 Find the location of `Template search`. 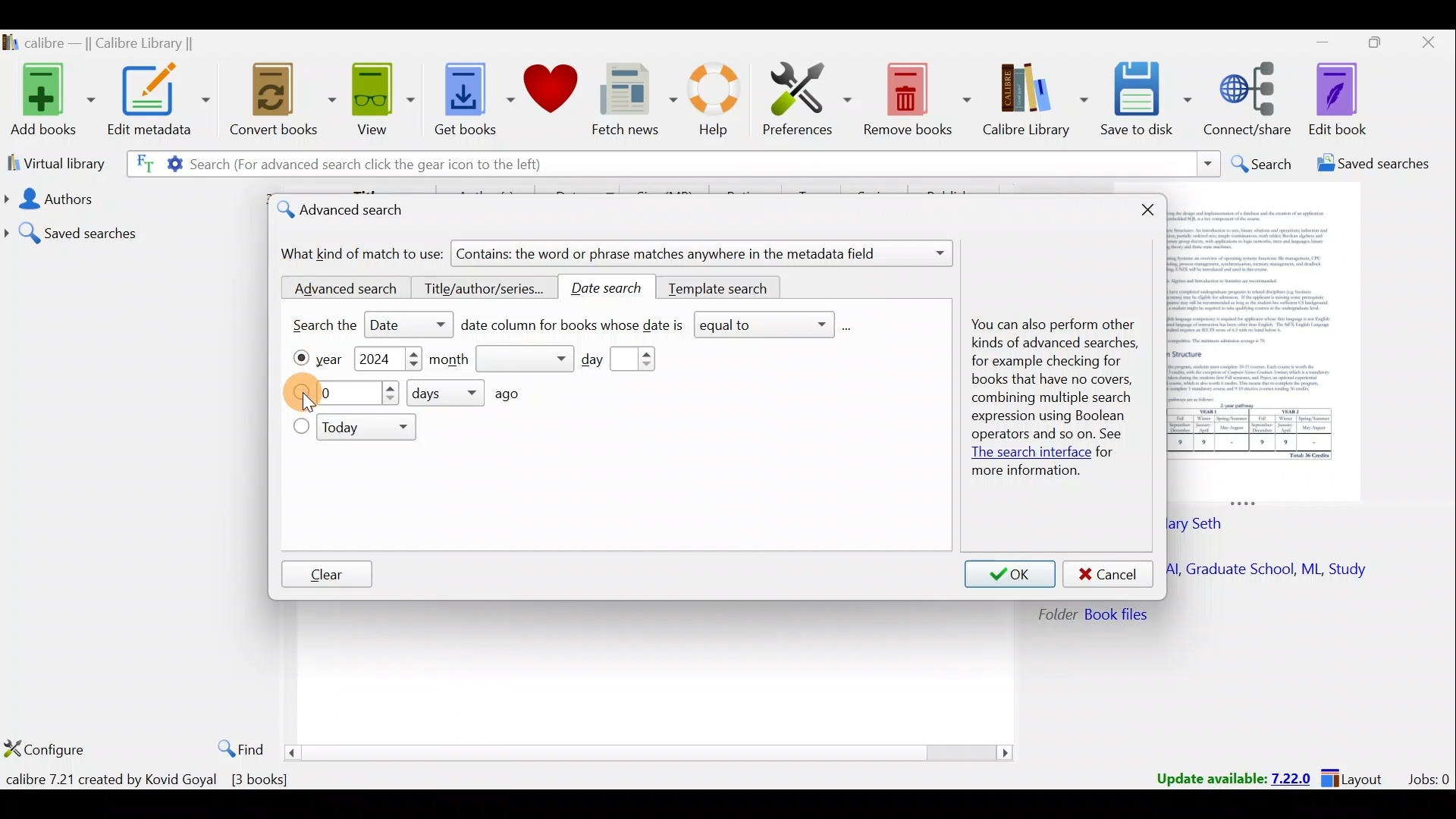

Template search is located at coordinates (720, 286).